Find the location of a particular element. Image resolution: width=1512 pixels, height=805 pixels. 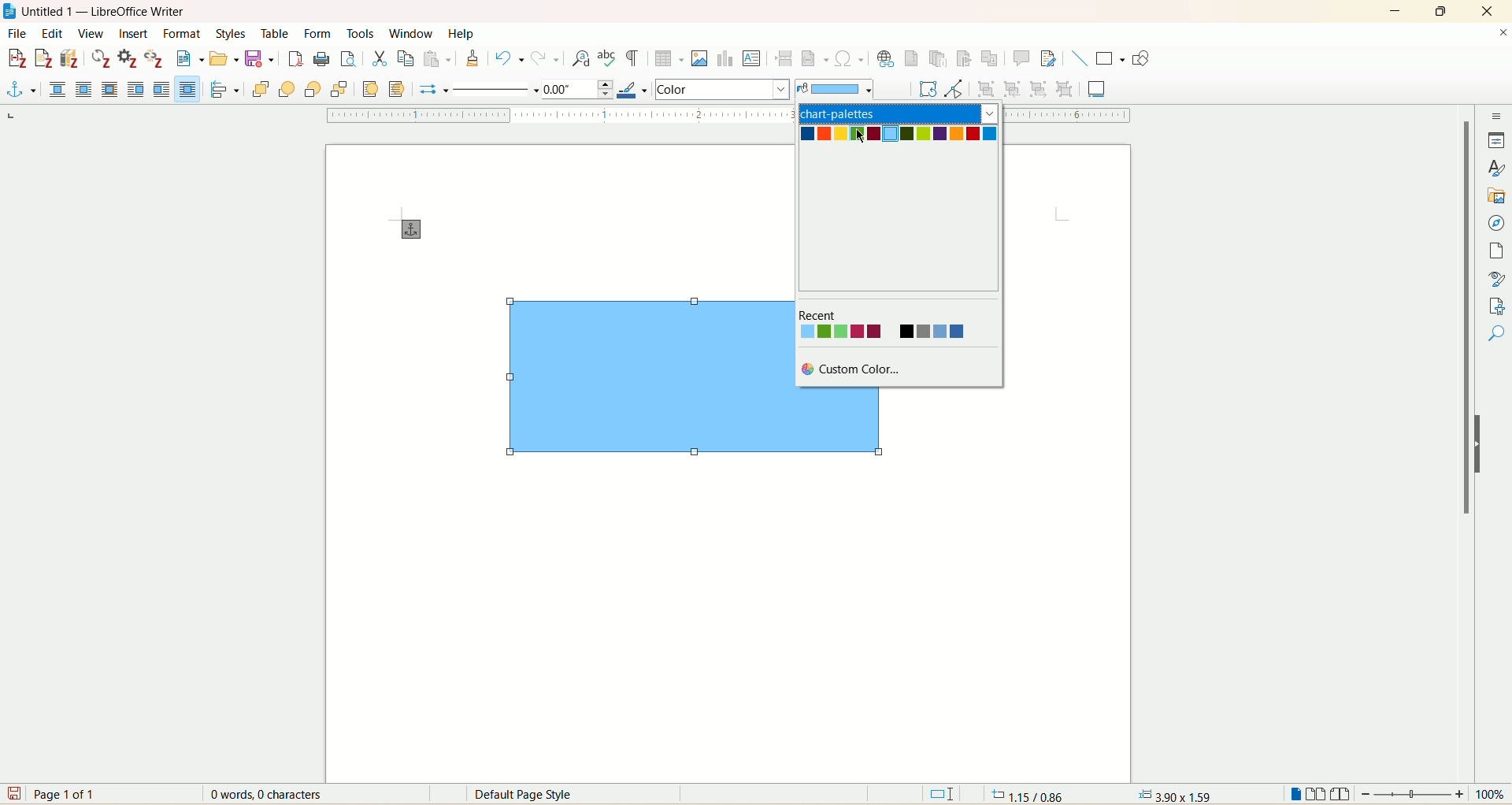

standard selection is located at coordinates (943, 795).